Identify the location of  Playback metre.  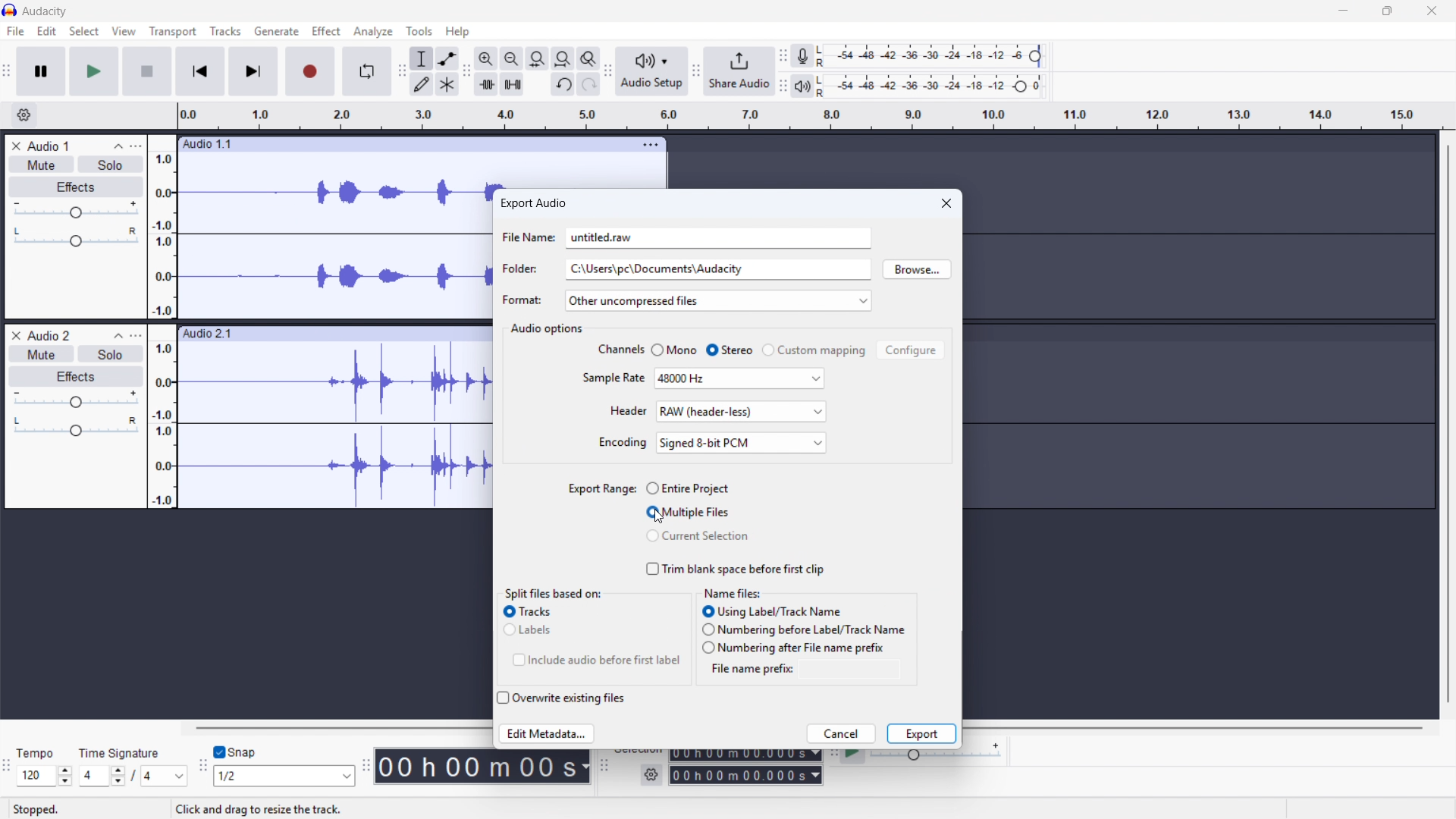
(803, 86).